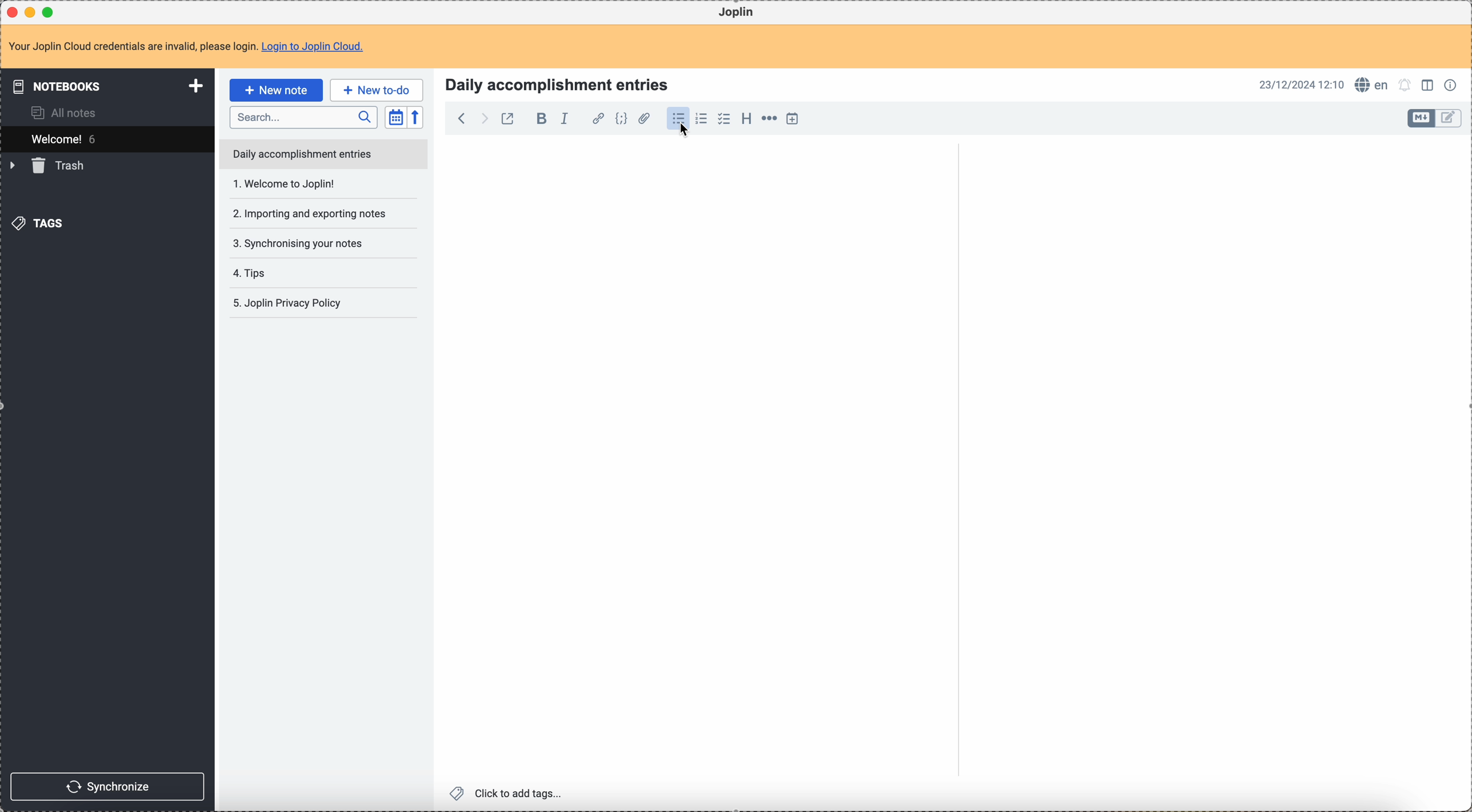 This screenshot has width=1472, height=812. Describe the element at coordinates (508, 118) in the screenshot. I see `toggle external editing` at that location.